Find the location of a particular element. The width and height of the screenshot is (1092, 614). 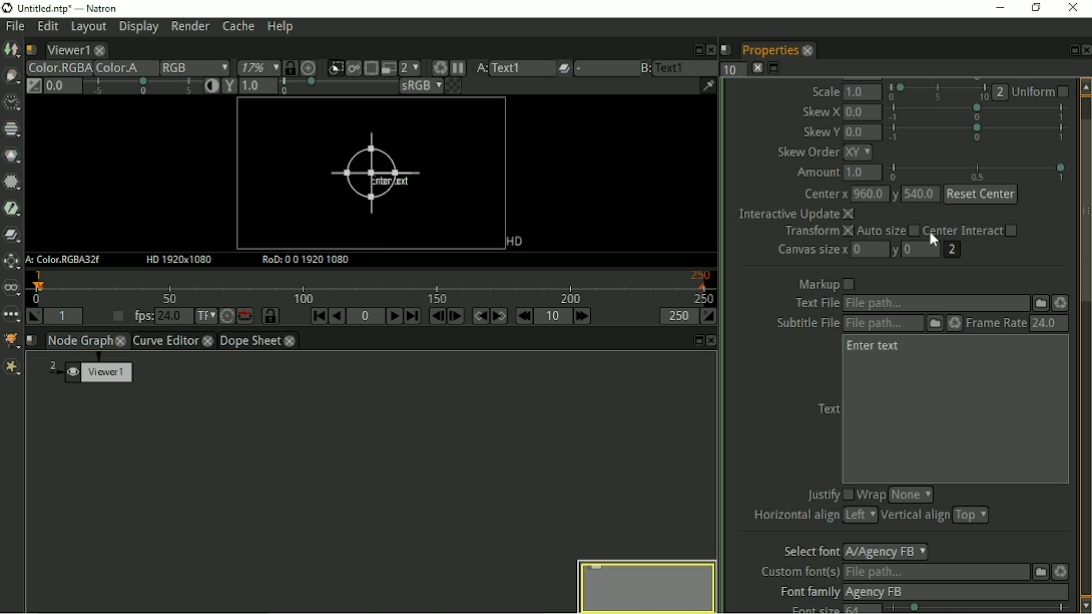

Reload the file is located at coordinates (1060, 303).